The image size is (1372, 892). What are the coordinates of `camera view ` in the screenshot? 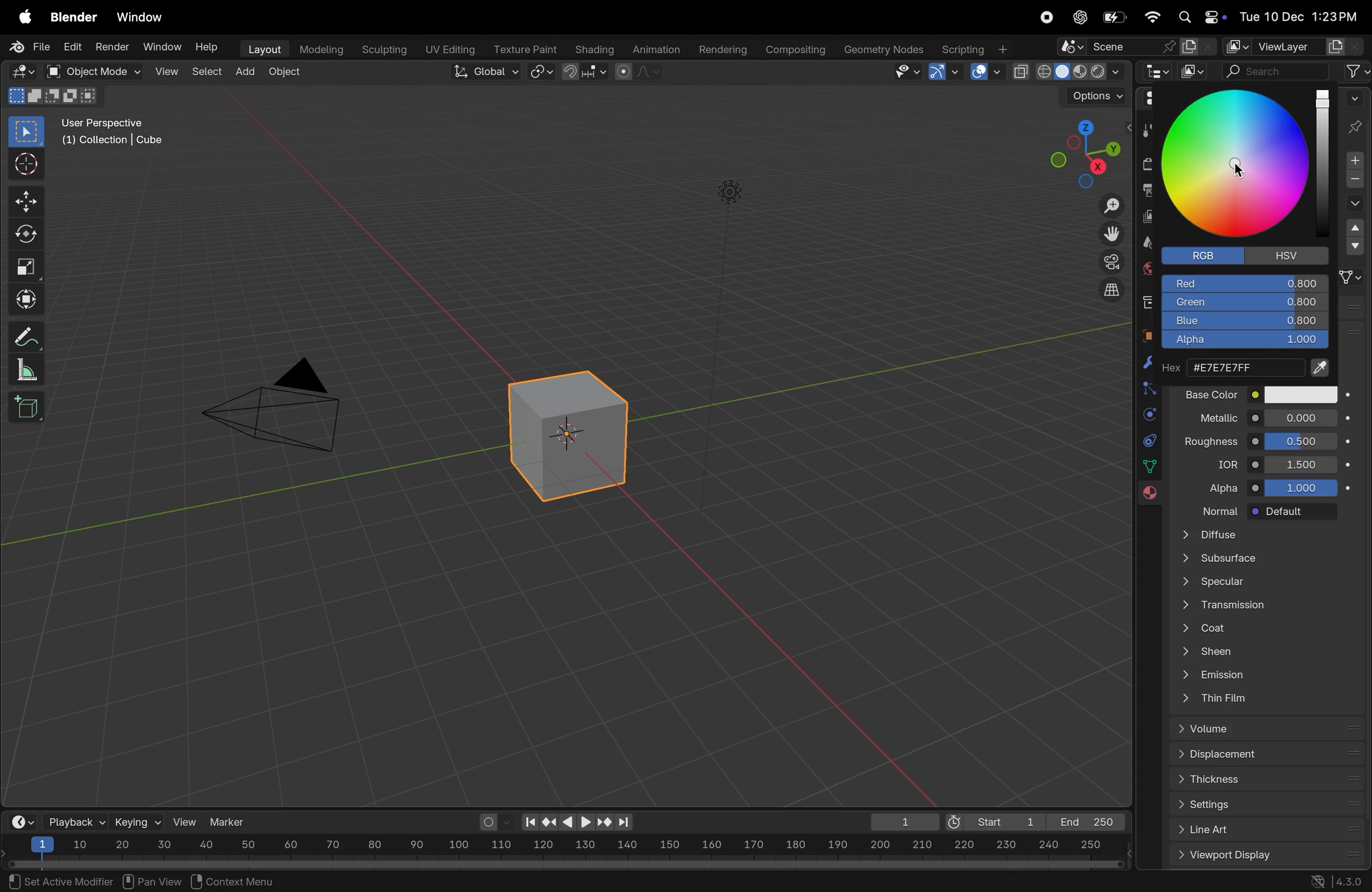 It's located at (281, 402).